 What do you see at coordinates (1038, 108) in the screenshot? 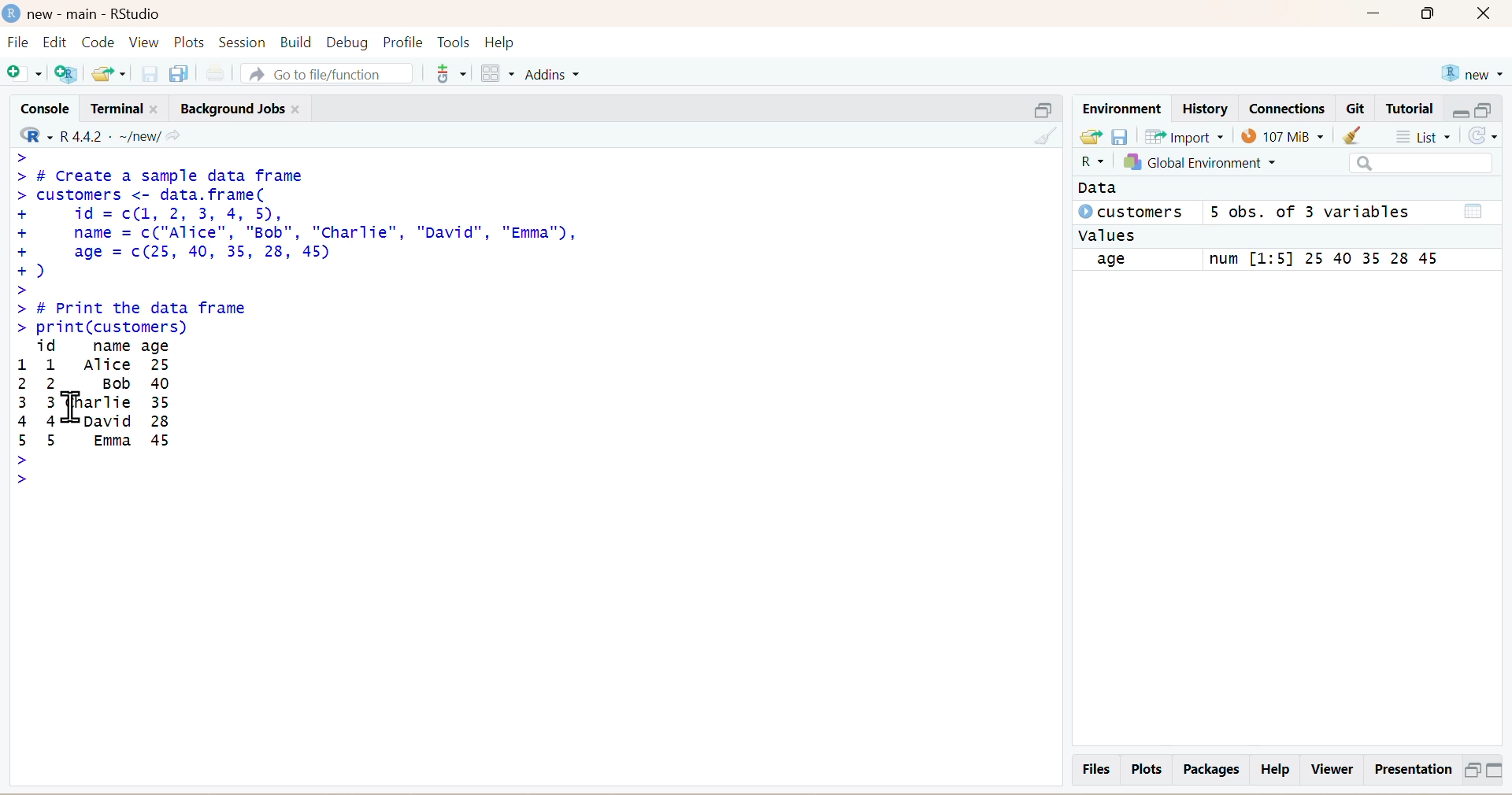
I see `Minimise` at bounding box center [1038, 108].